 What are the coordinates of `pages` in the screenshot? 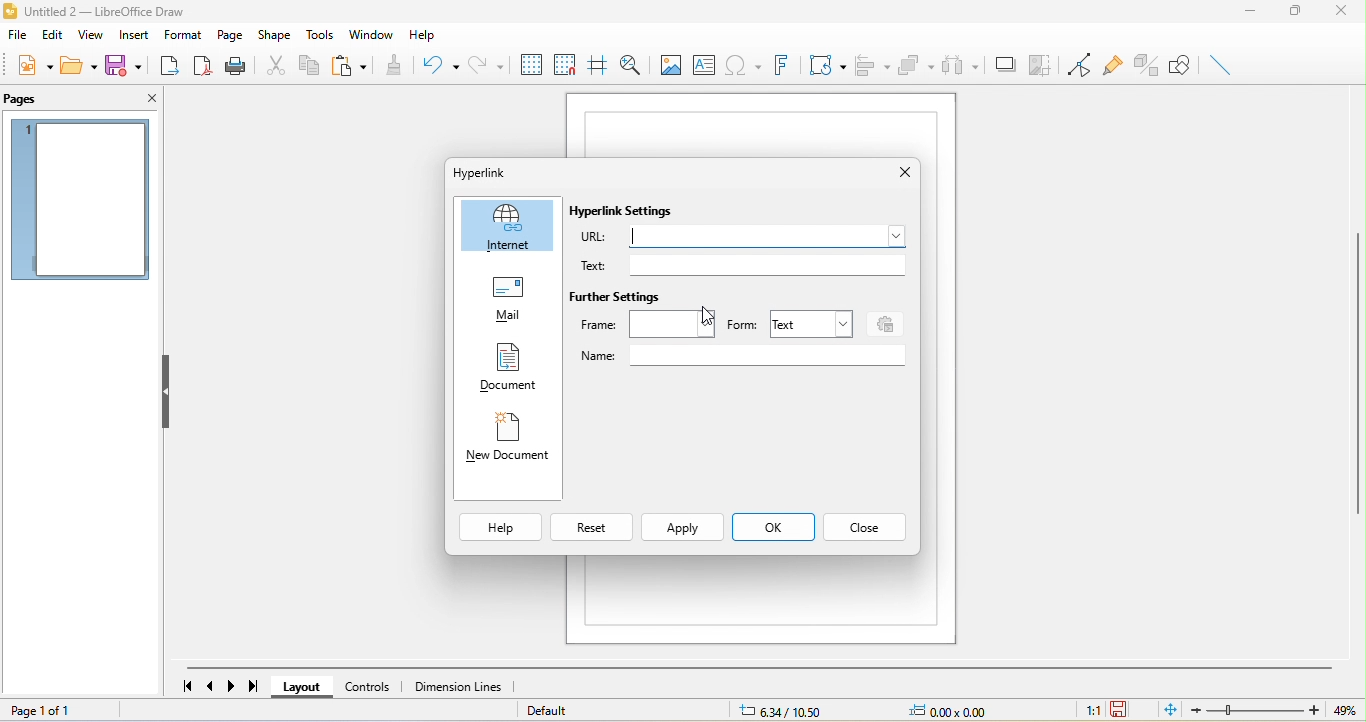 It's located at (45, 100).